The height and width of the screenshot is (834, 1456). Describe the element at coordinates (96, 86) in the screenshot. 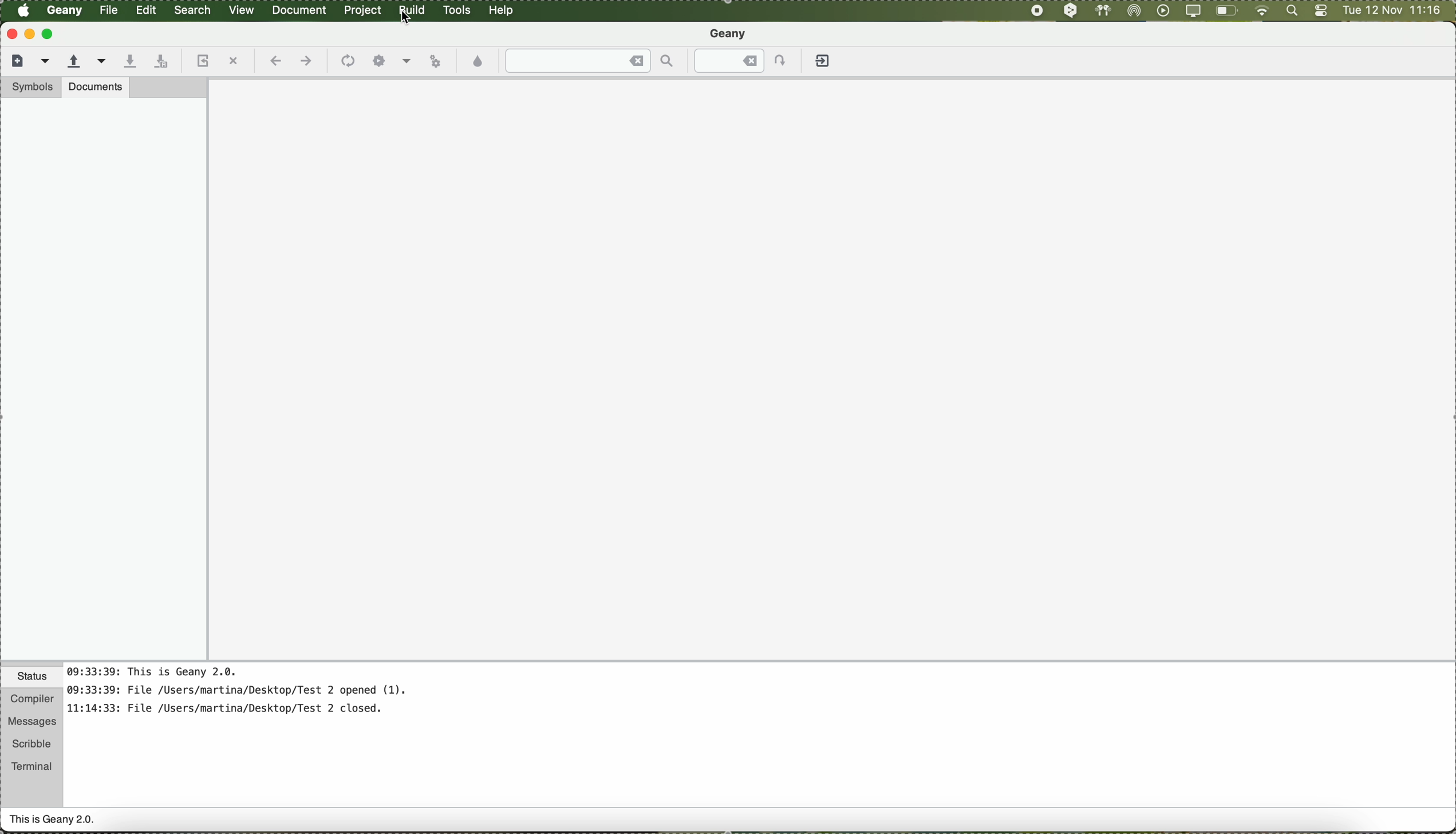

I see `documents` at that location.